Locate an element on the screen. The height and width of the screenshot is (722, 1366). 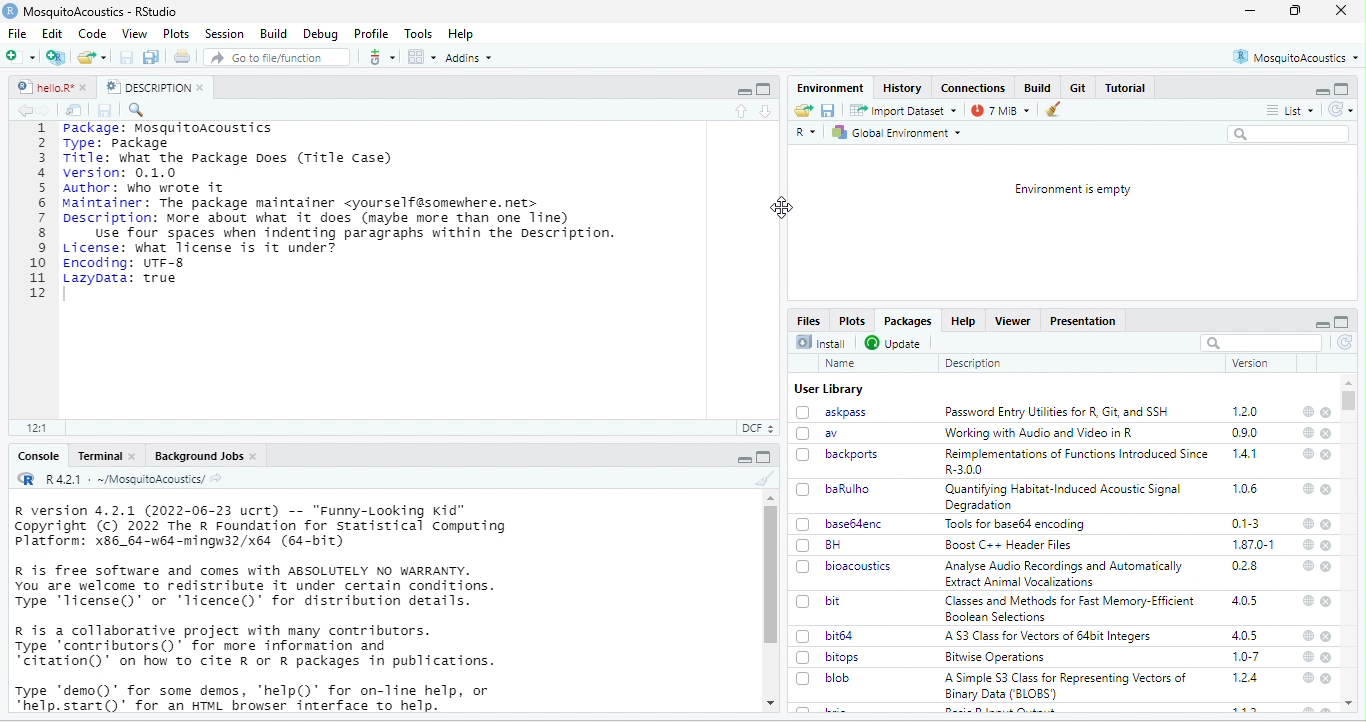
base64enc is located at coordinates (840, 524).